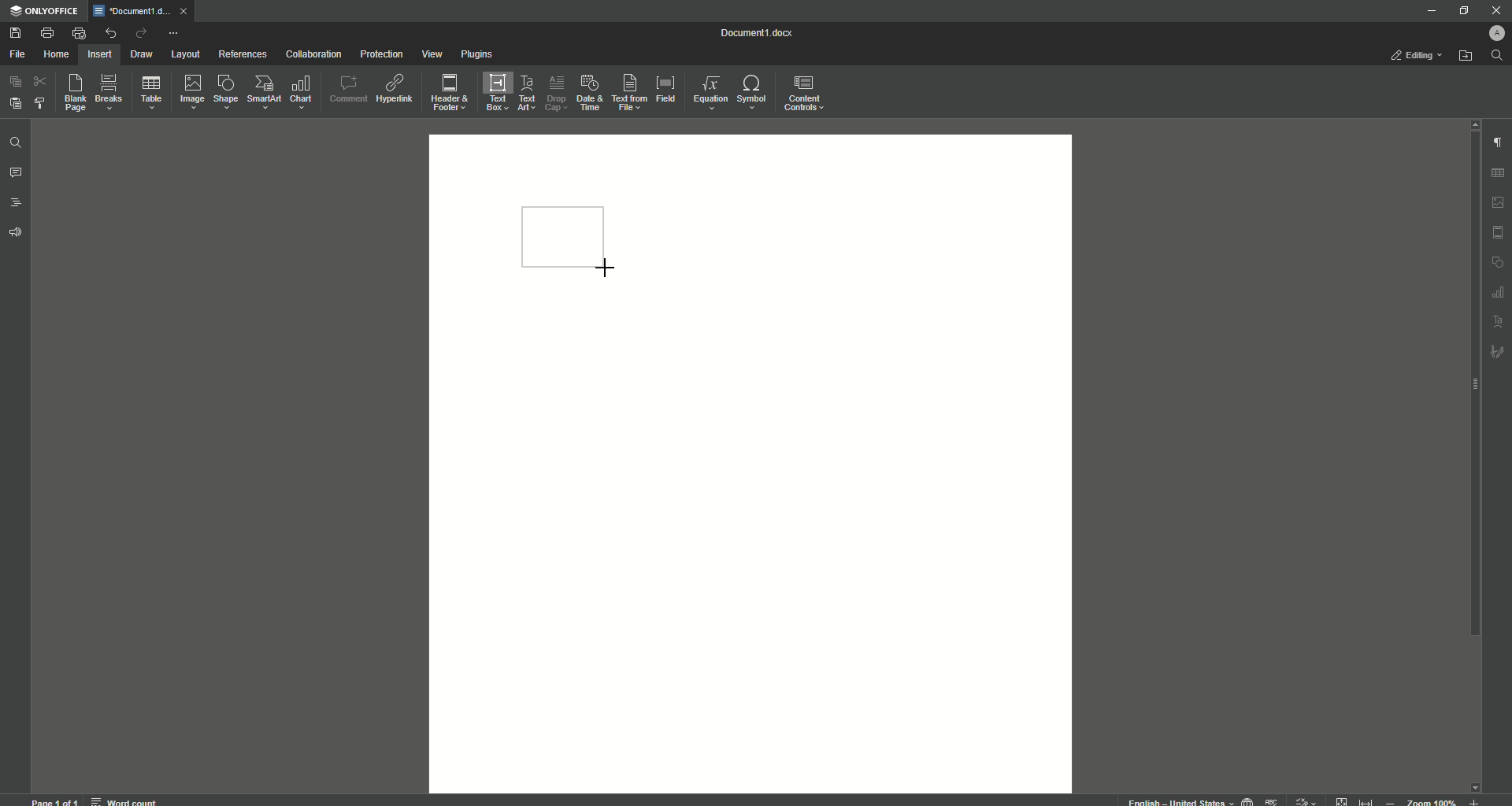 The image size is (1512, 806). What do you see at coordinates (1436, 800) in the screenshot?
I see `zoom out or zoom in` at bounding box center [1436, 800].